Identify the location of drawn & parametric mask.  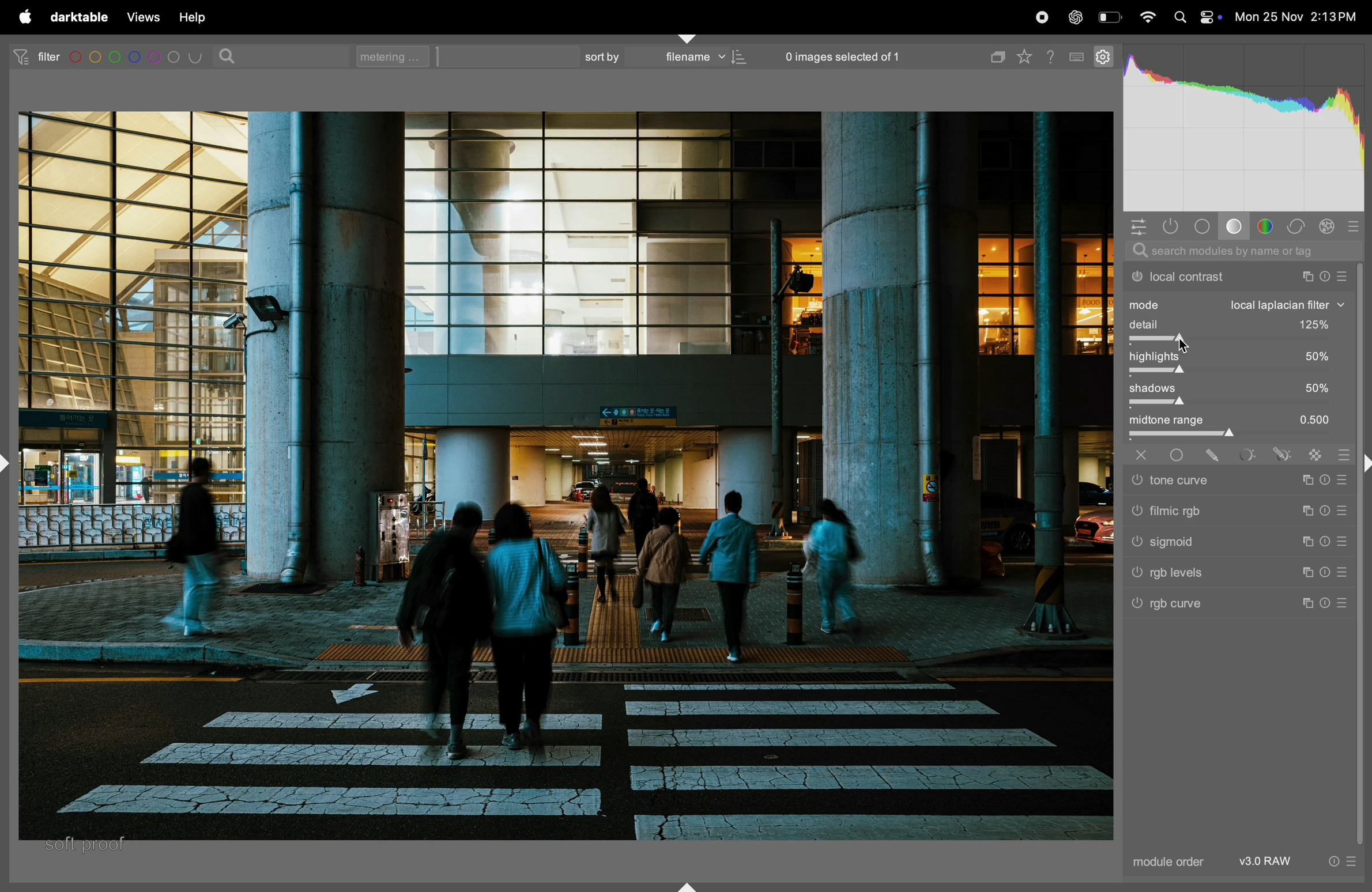
(1281, 456).